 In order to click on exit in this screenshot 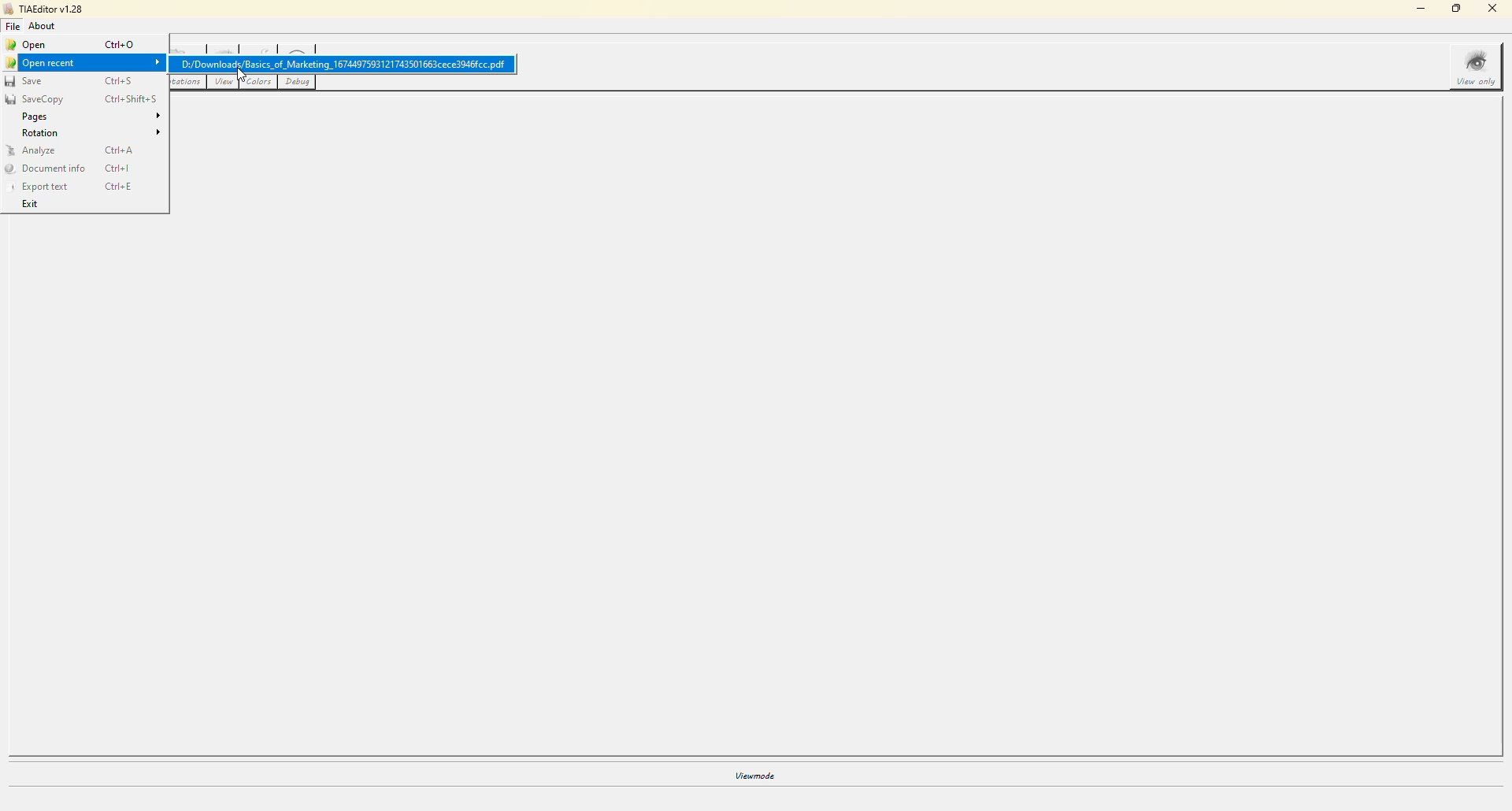, I will do `click(31, 207)`.